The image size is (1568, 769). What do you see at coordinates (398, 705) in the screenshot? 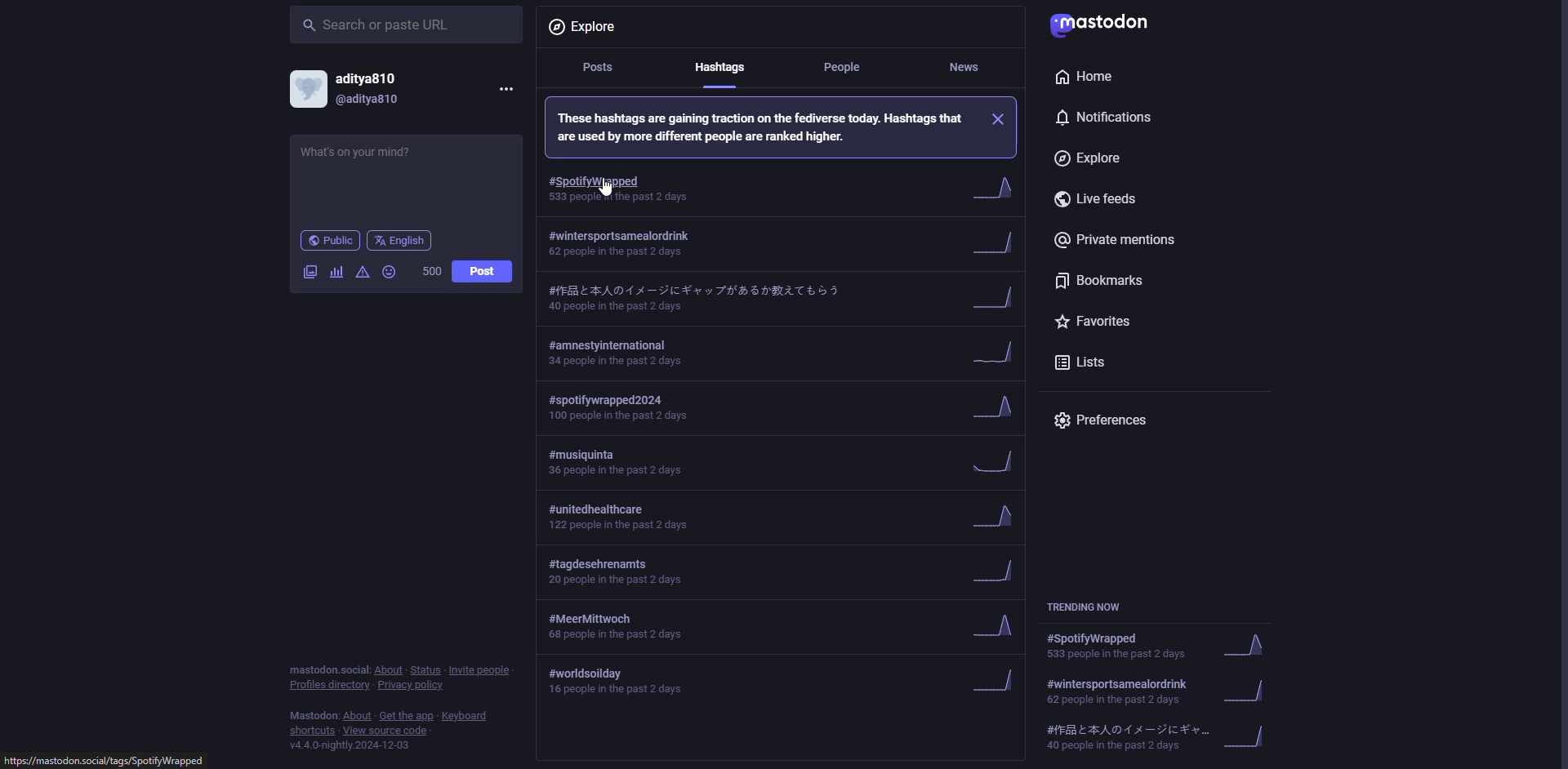
I see `info` at bounding box center [398, 705].